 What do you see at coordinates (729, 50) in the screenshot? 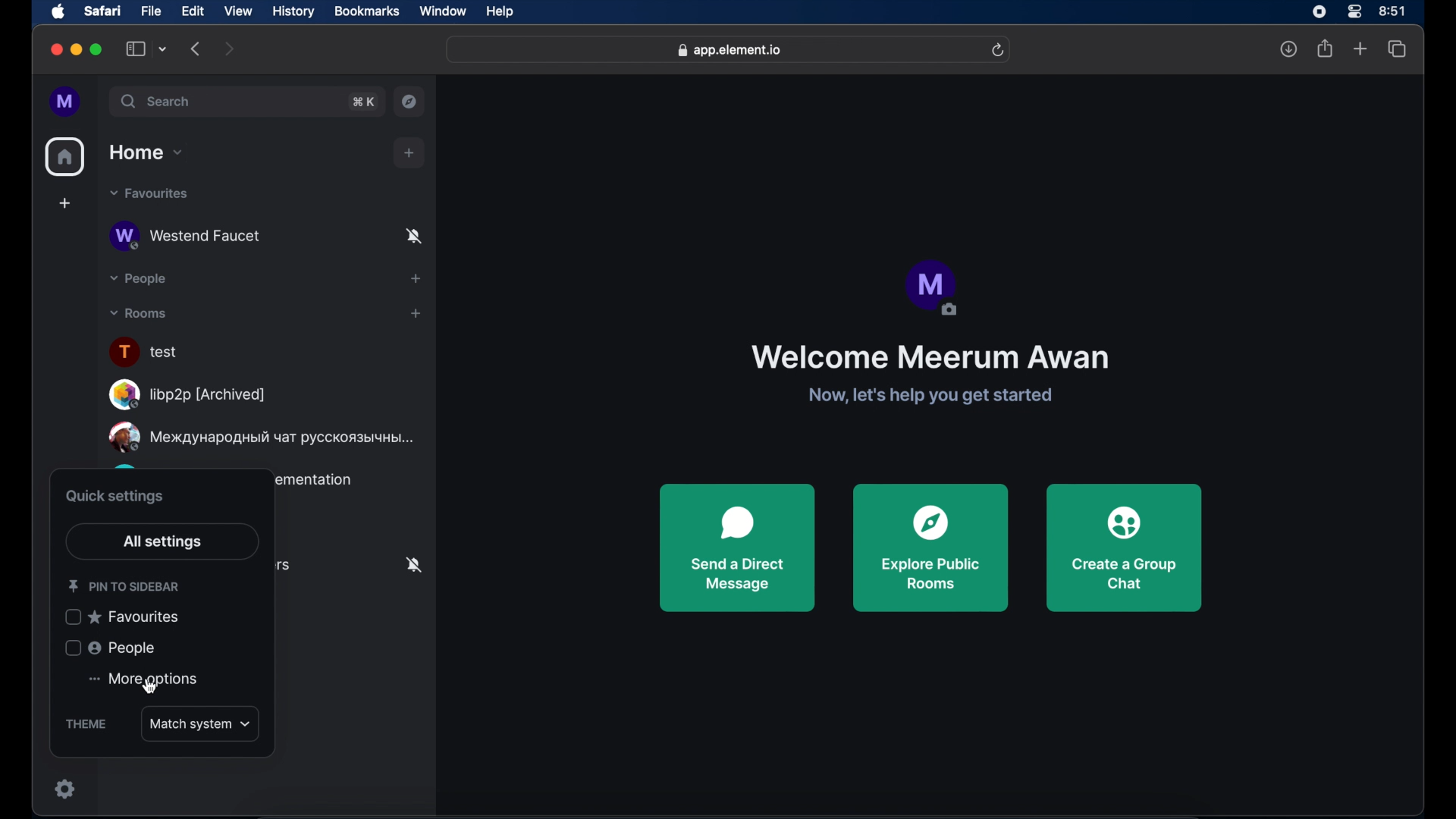
I see `web address- app.element.io` at bounding box center [729, 50].